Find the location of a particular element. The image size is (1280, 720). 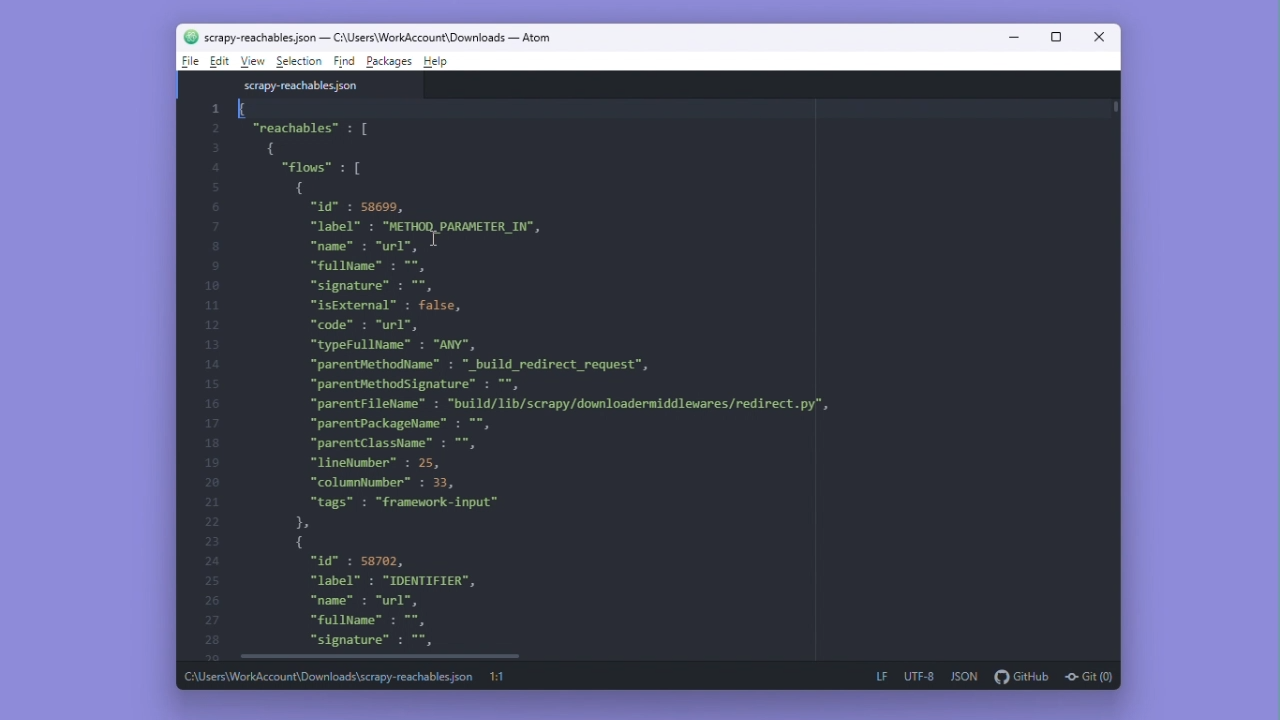

scrapy-reachables.json - C:\Users\WorkAccount\Downloads -  Atom is located at coordinates (377, 39).